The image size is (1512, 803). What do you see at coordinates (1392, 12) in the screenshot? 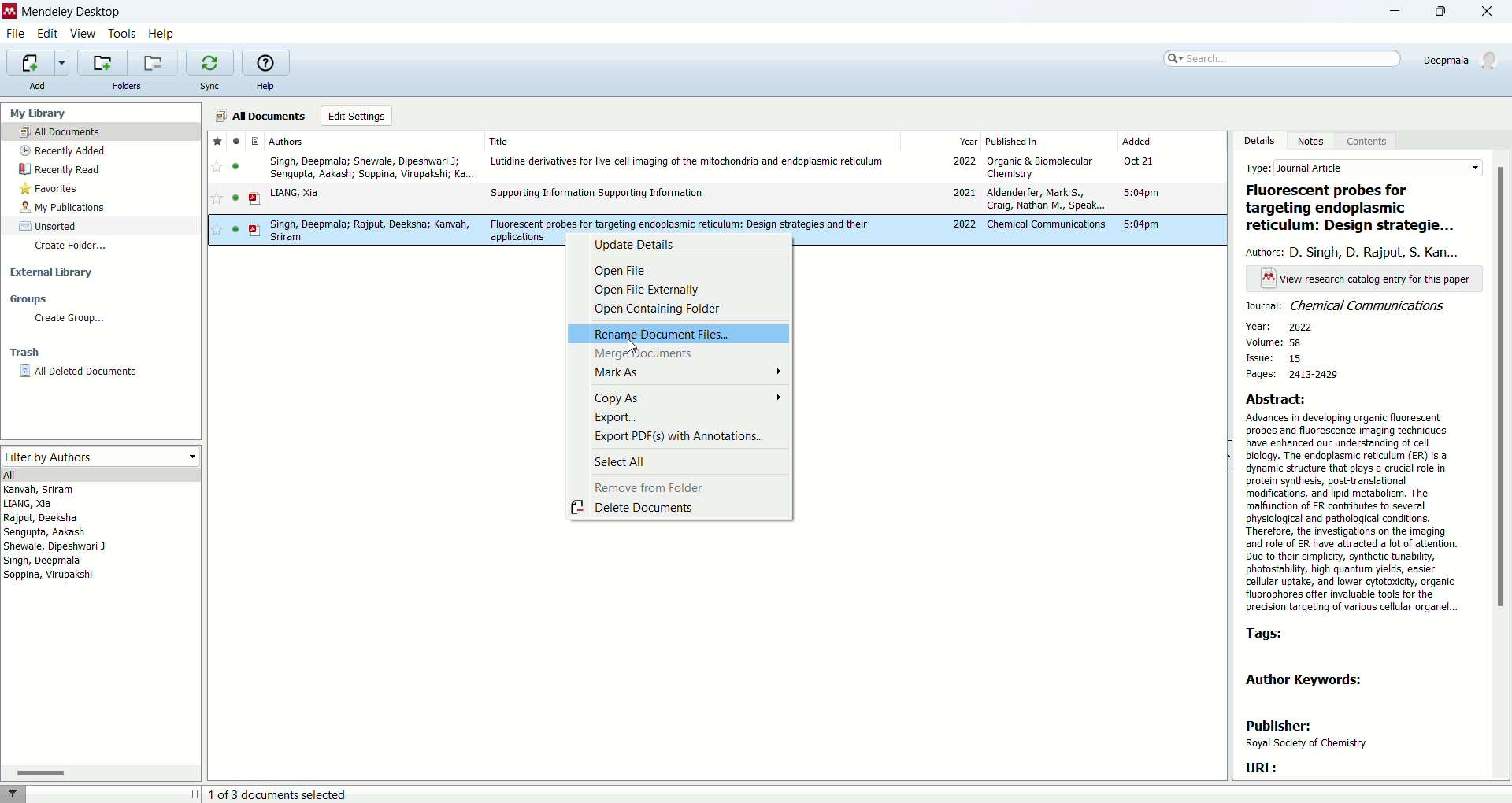
I see `minimize` at bounding box center [1392, 12].